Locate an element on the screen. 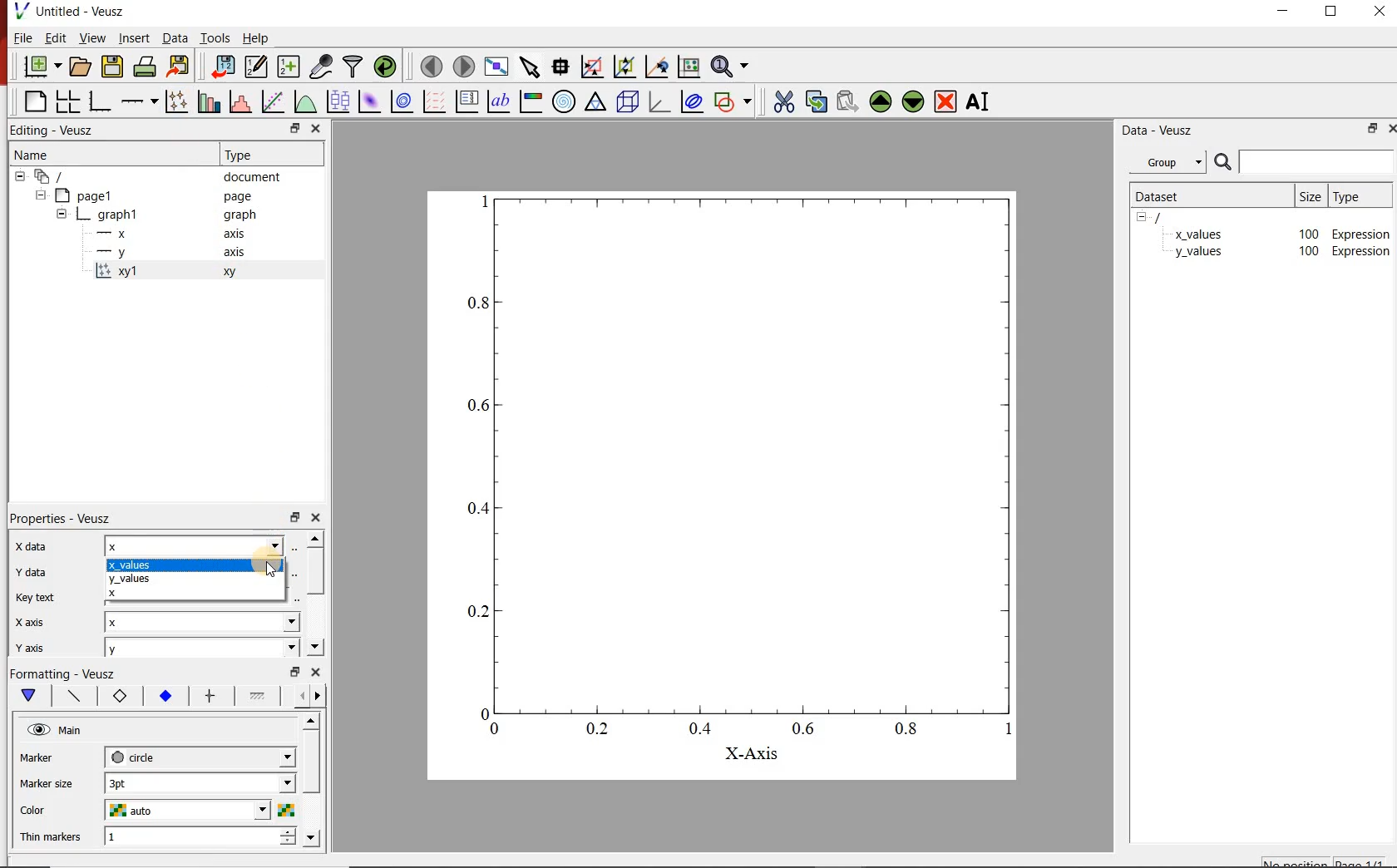 Image resolution: width=1397 pixels, height=868 pixels. name is located at coordinates (33, 156).